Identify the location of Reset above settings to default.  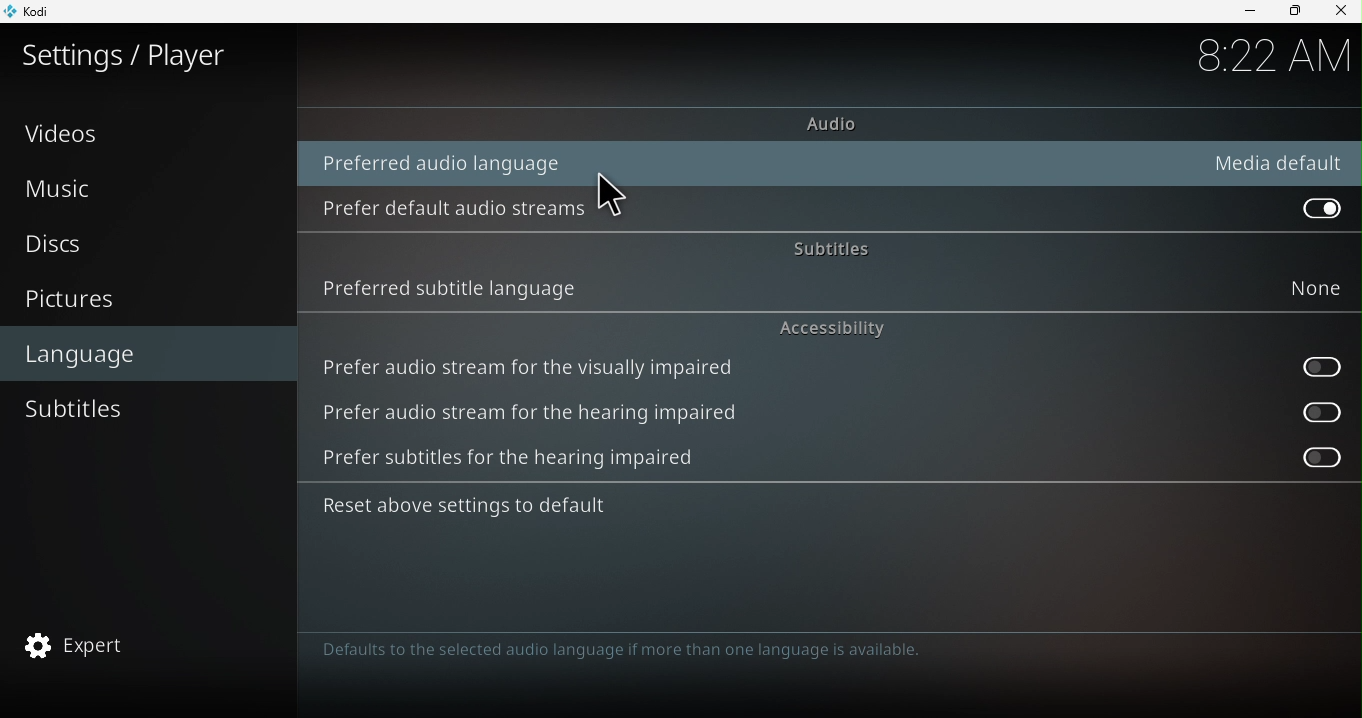
(489, 510).